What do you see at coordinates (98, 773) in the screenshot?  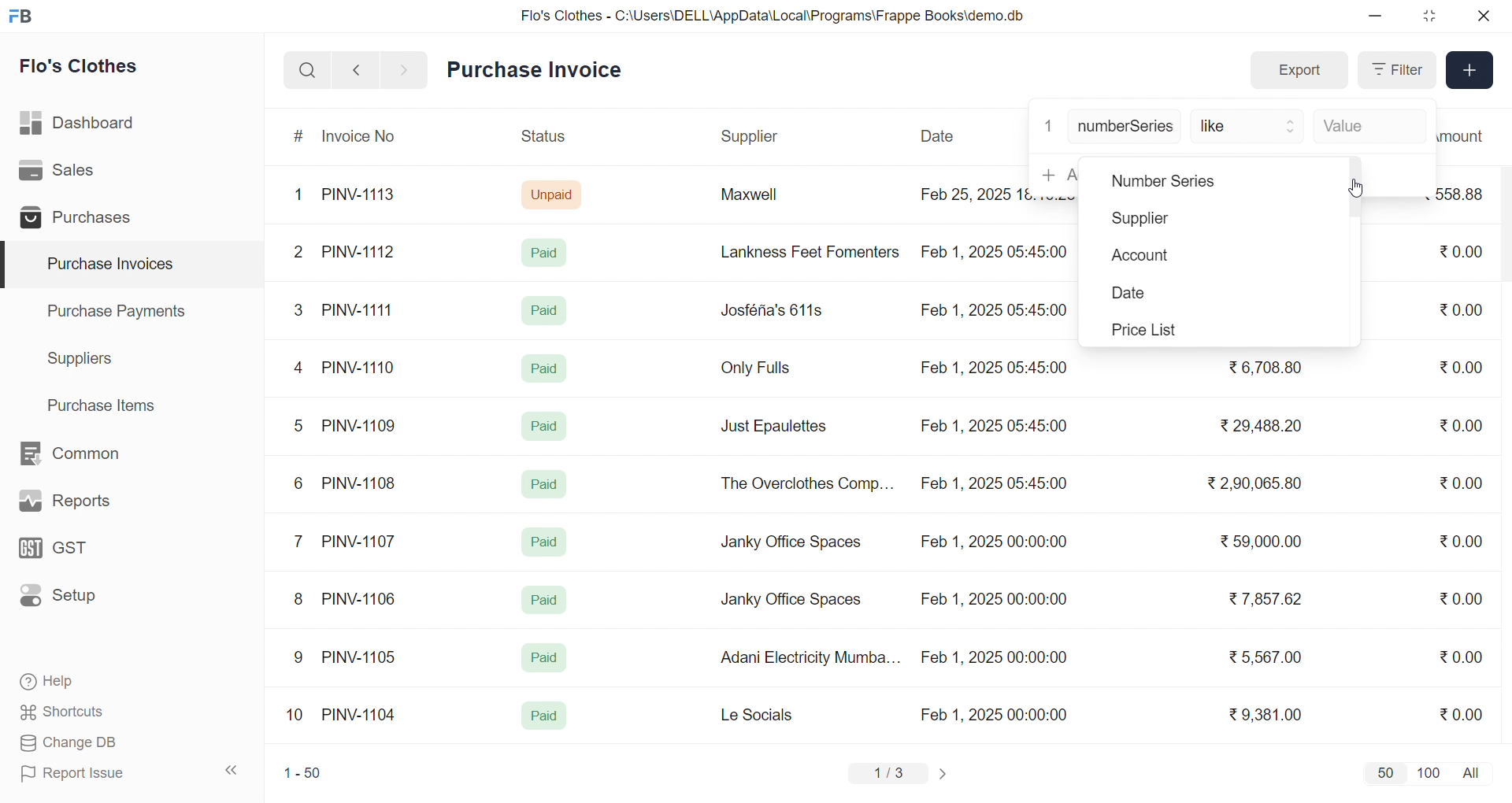 I see `Report Issue` at bounding box center [98, 773].